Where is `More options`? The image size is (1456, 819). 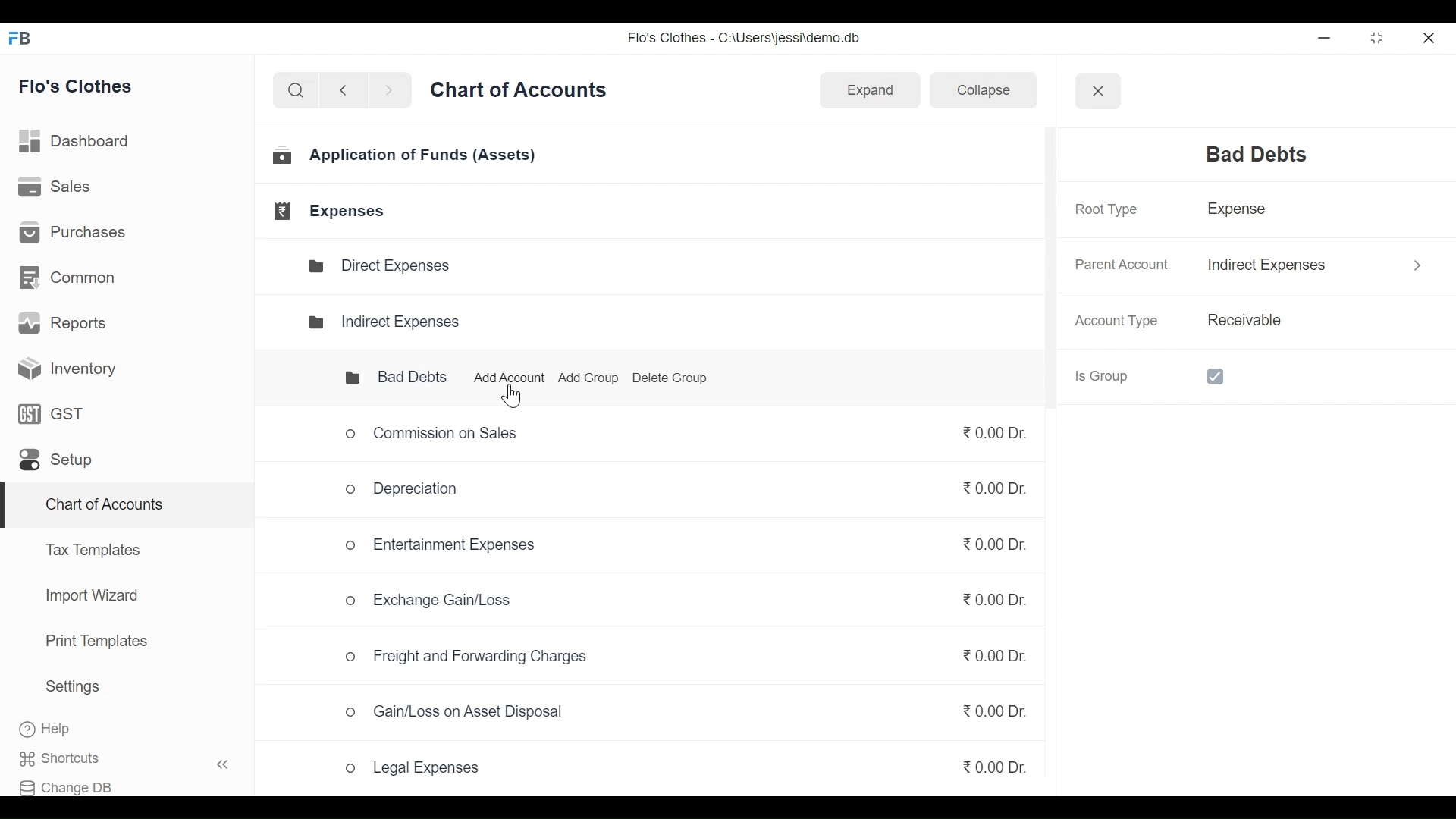 More options is located at coordinates (1410, 262).